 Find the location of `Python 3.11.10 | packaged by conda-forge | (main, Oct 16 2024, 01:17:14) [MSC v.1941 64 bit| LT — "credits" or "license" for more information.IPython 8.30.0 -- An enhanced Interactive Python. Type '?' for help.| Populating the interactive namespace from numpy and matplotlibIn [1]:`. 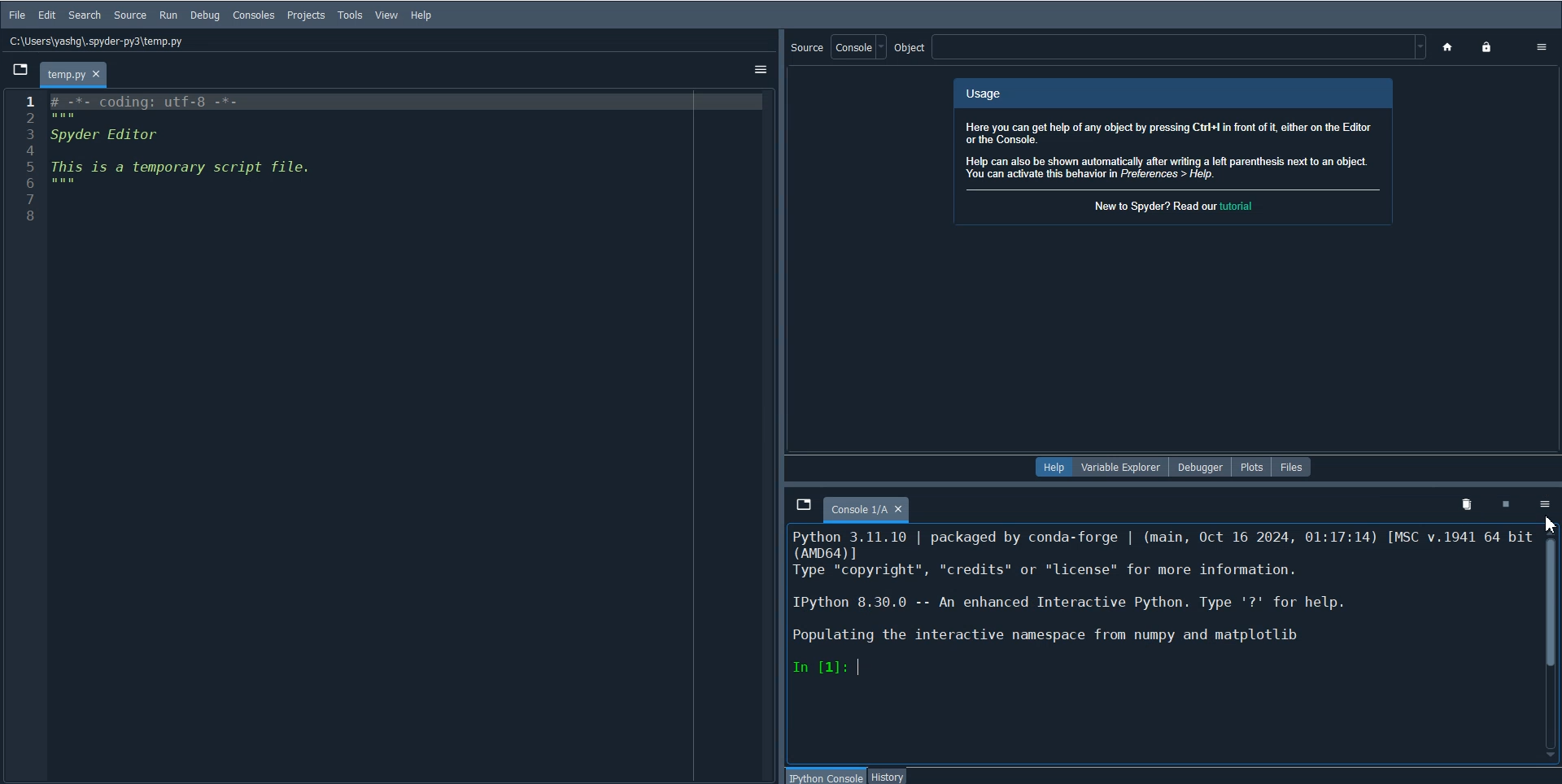

Python 3.11.10 | packaged by conda-forge | (main, Oct 16 2024, 01:17:14) [MSC v.1941 64 bit| LT — "credits" or "license" for more information.IPython 8.30.0 -- An enhanced Interactive Python. Type '?' for help.| Populating the interactive namespace from numpy and matplotlibIn [1]: is located at coordinates (1163, 607).